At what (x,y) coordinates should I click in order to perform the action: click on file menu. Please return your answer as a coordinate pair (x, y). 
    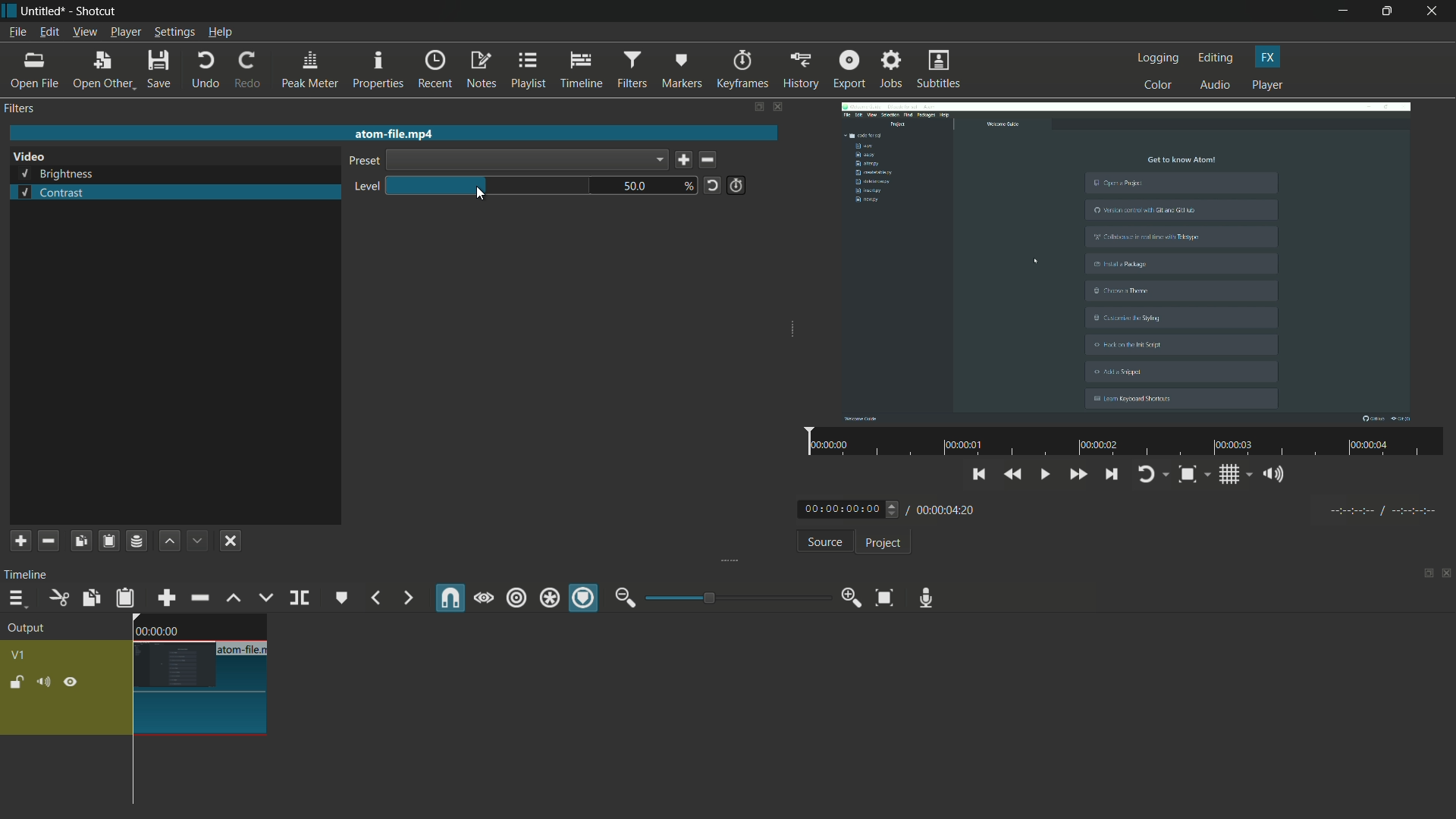
    Looking at the image, I should click on (17, 32).